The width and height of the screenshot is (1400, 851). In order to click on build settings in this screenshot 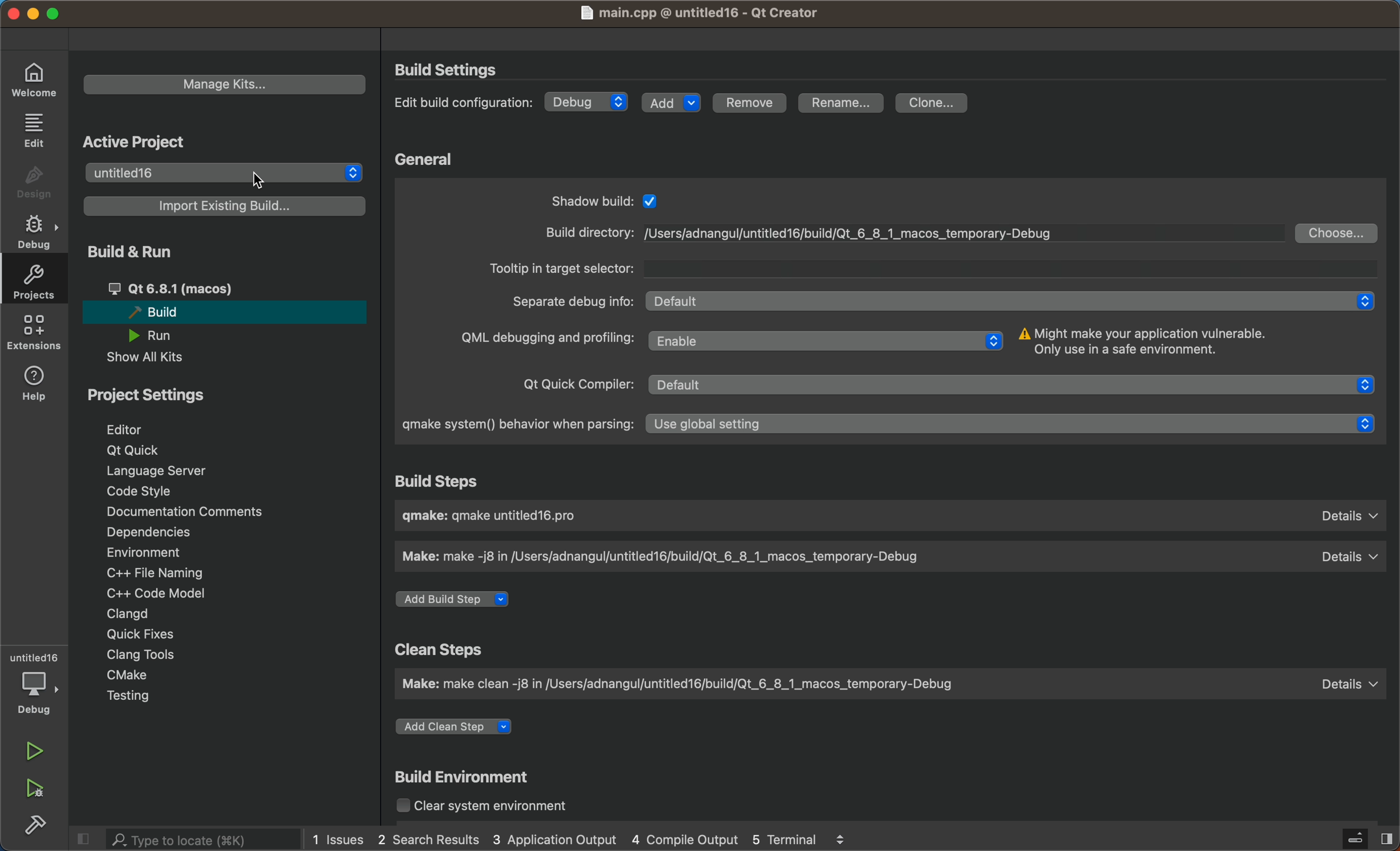, I will do `click(454, 68)`.